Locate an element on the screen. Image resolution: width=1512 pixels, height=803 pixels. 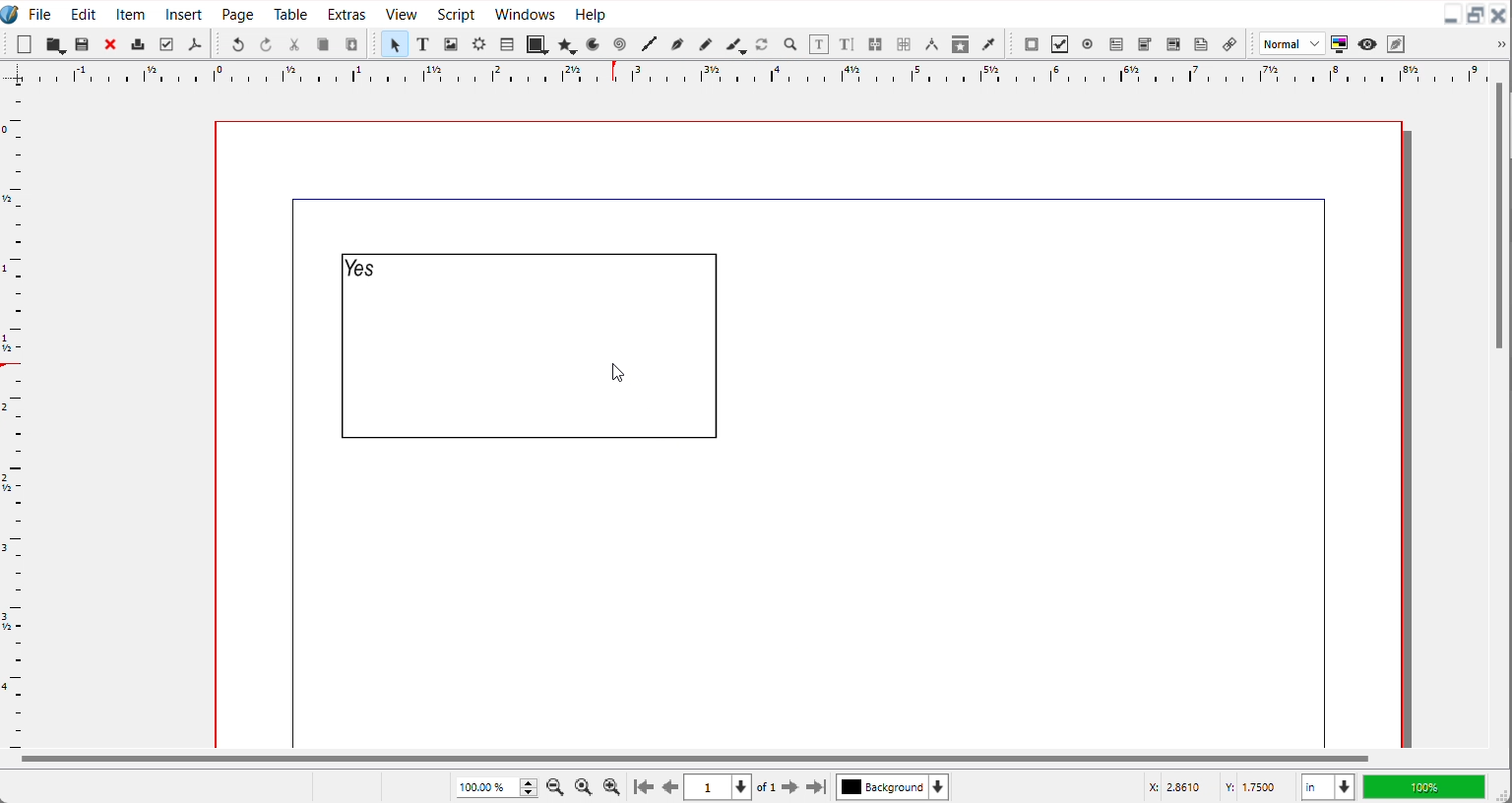
Help is located at coordinates (590, 13).